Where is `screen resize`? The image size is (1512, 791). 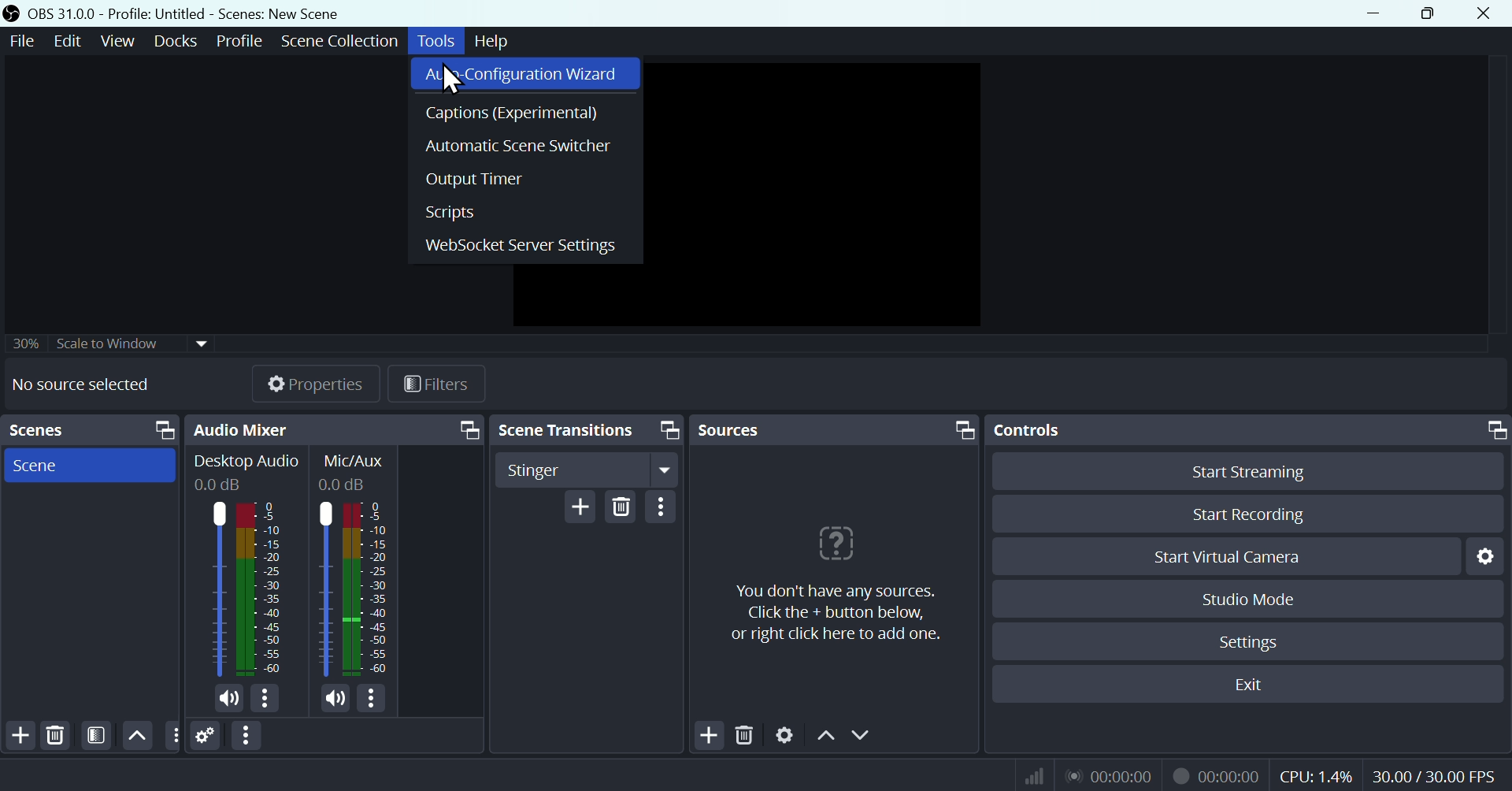
screen resize is located at coordinates (1492, 430).